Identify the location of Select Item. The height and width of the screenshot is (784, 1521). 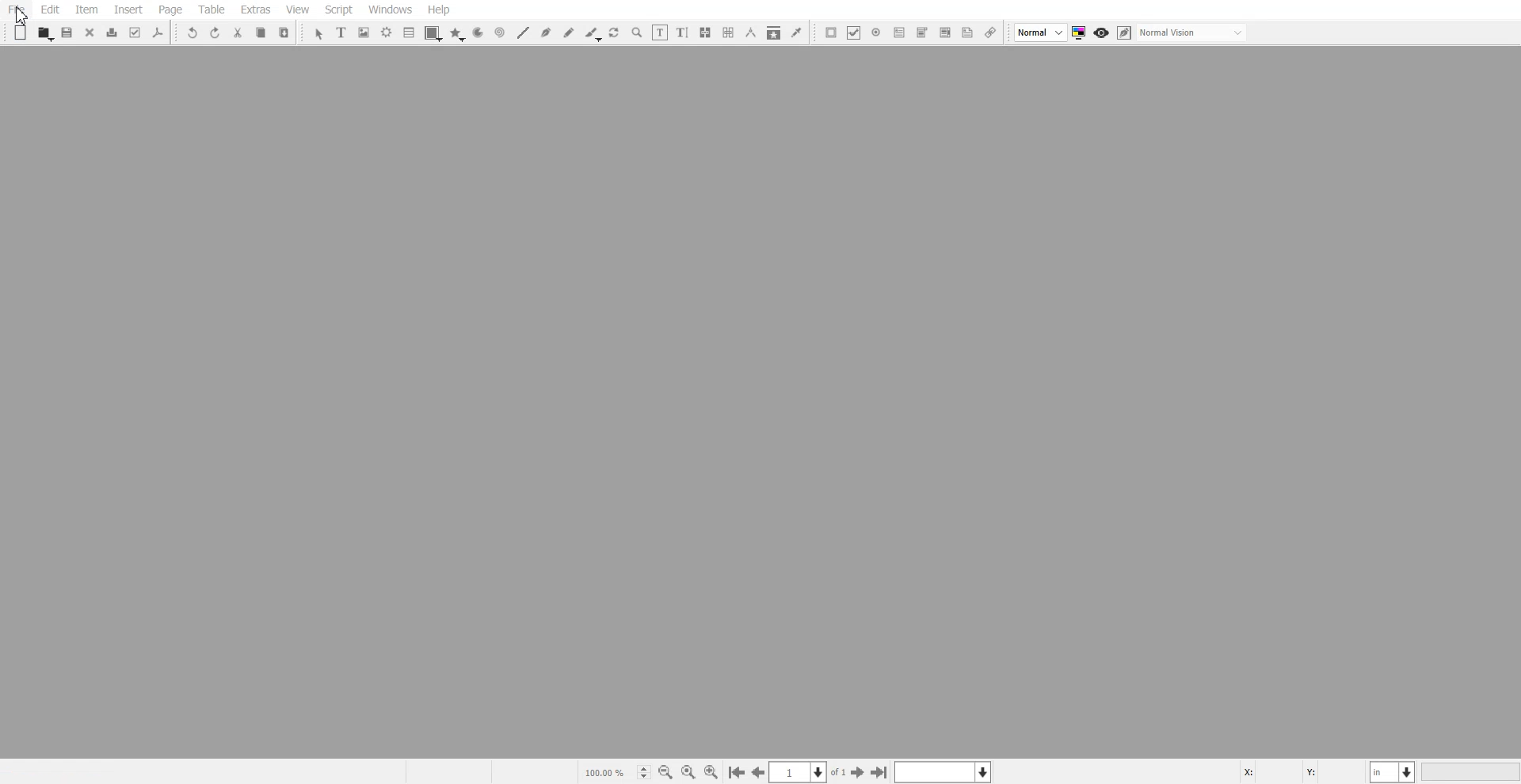
(318, 34).